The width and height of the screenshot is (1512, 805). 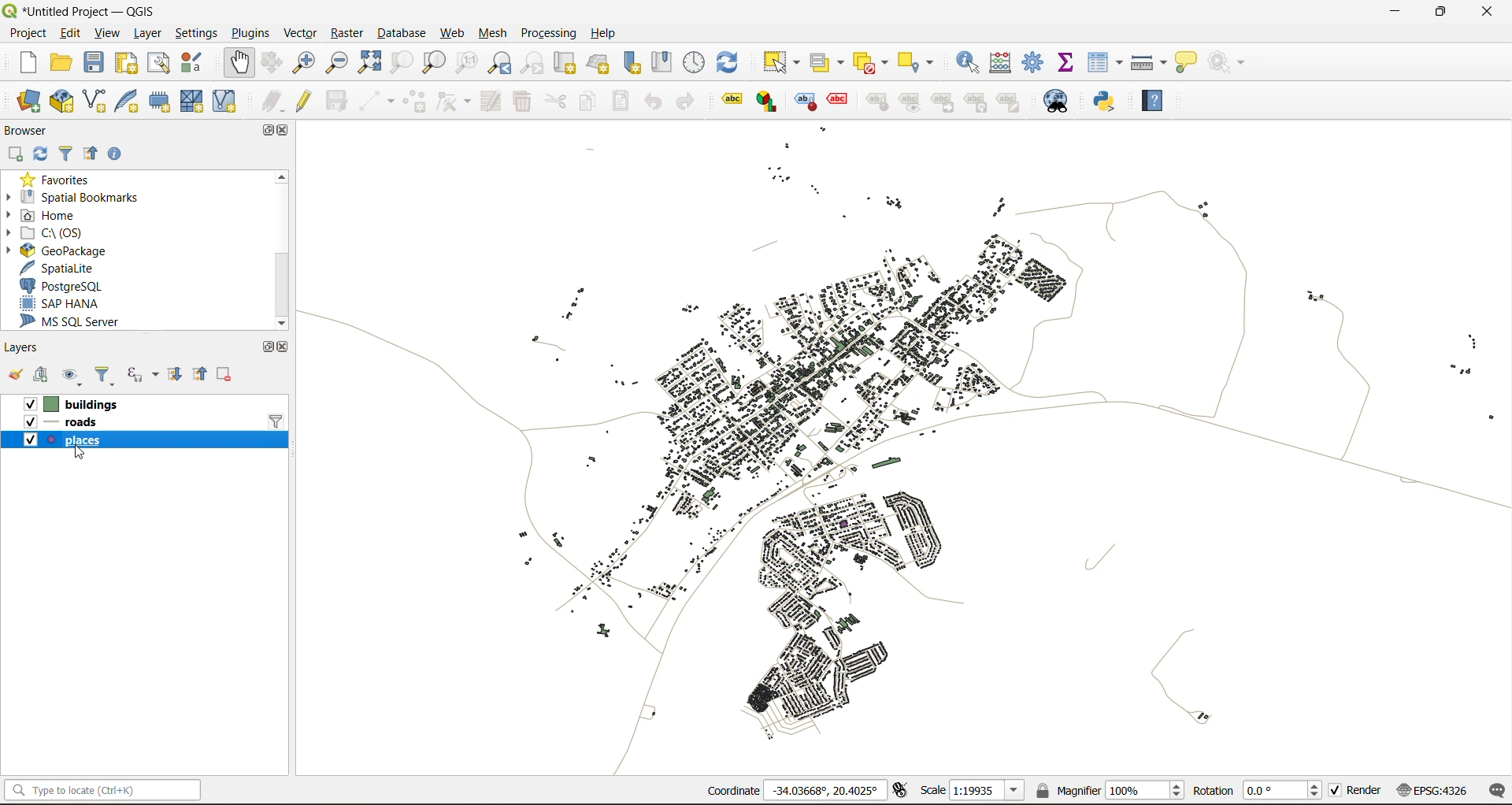 What do you see at coordinates (265, 131) in the screenshot?
I see `maximize` at bounding box center [265, 131].